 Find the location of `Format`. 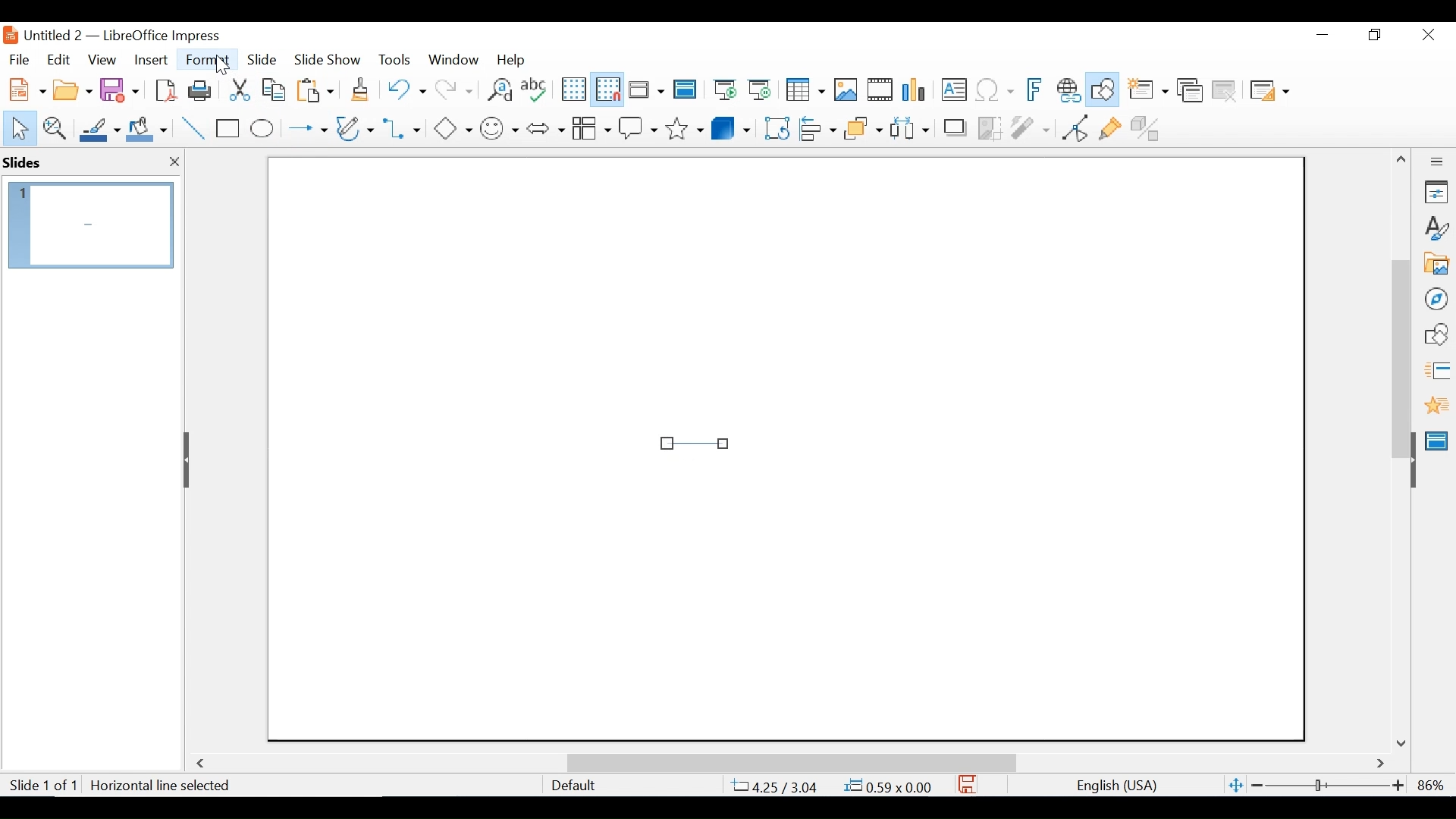

Format is located at coordinates (209, 60).